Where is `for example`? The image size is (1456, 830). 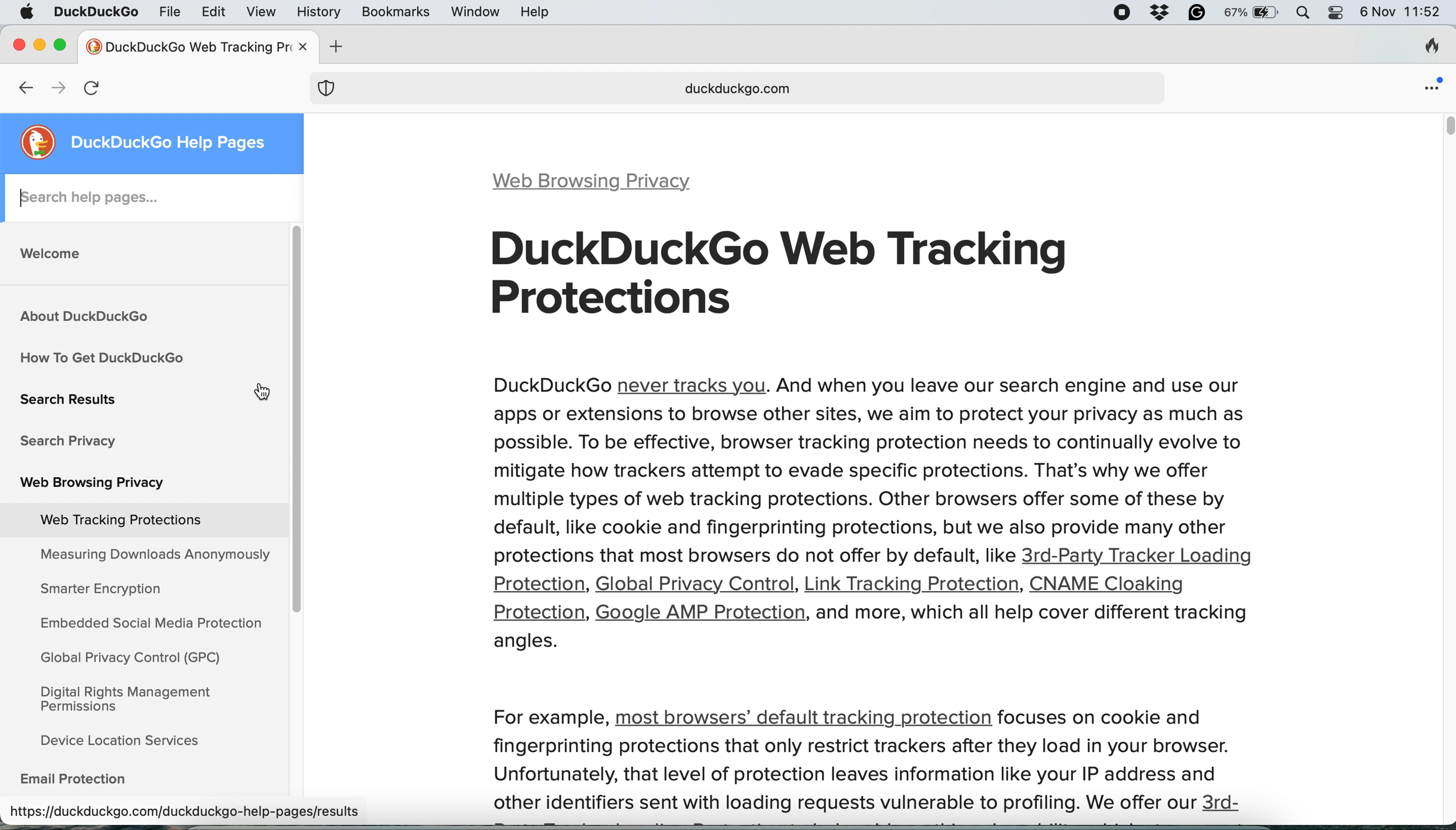 for example is located at coordinates (546, 718).